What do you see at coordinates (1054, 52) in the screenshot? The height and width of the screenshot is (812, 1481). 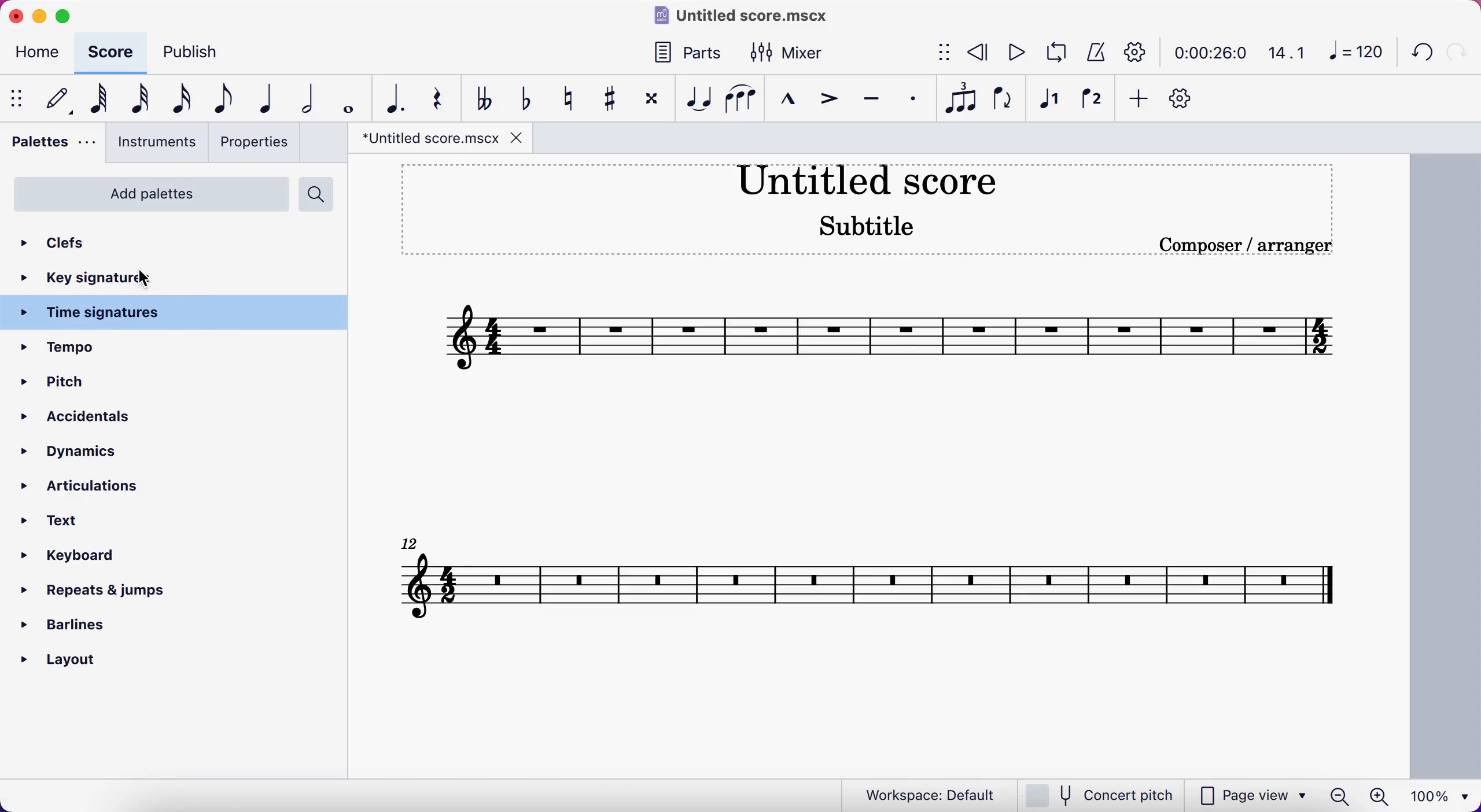 I see `loop playback` at bounding box center [1054, 52].